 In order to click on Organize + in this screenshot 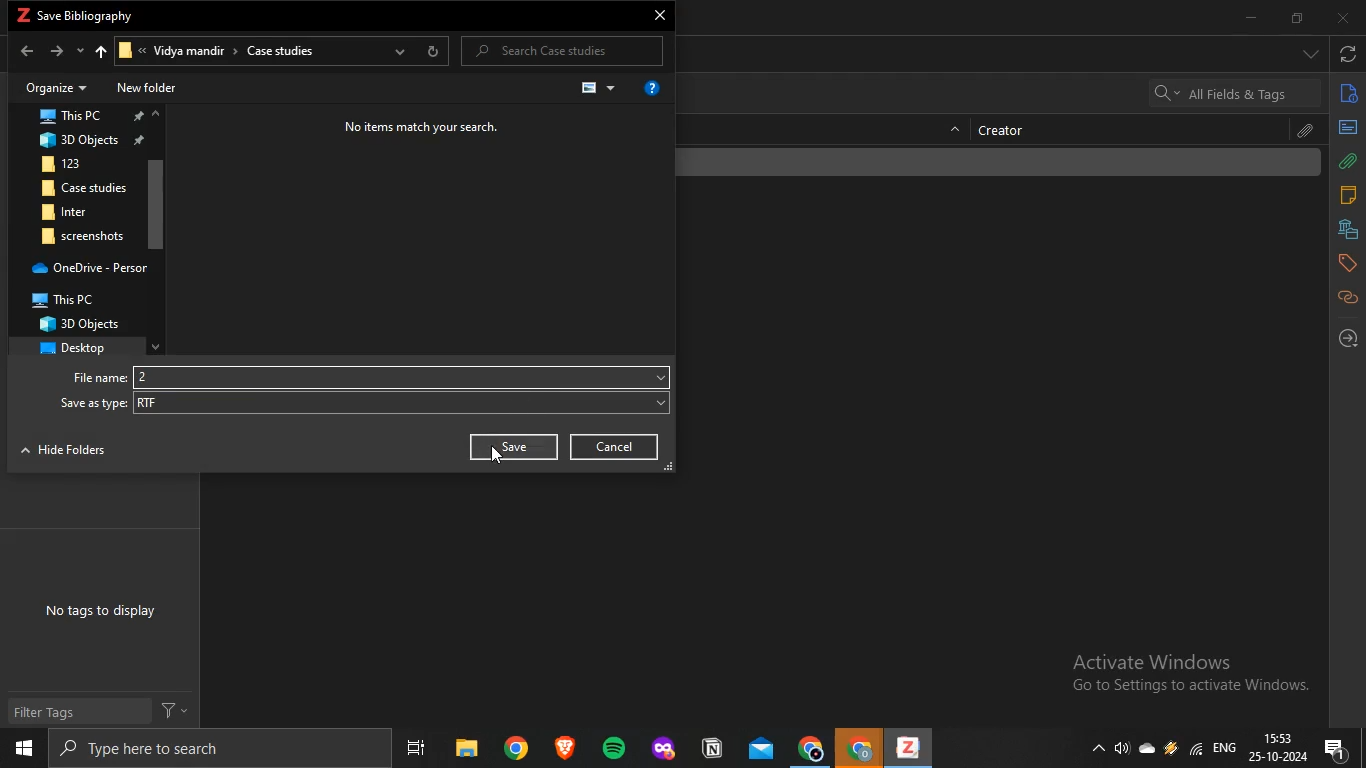, I will do `click(57, 87)`.